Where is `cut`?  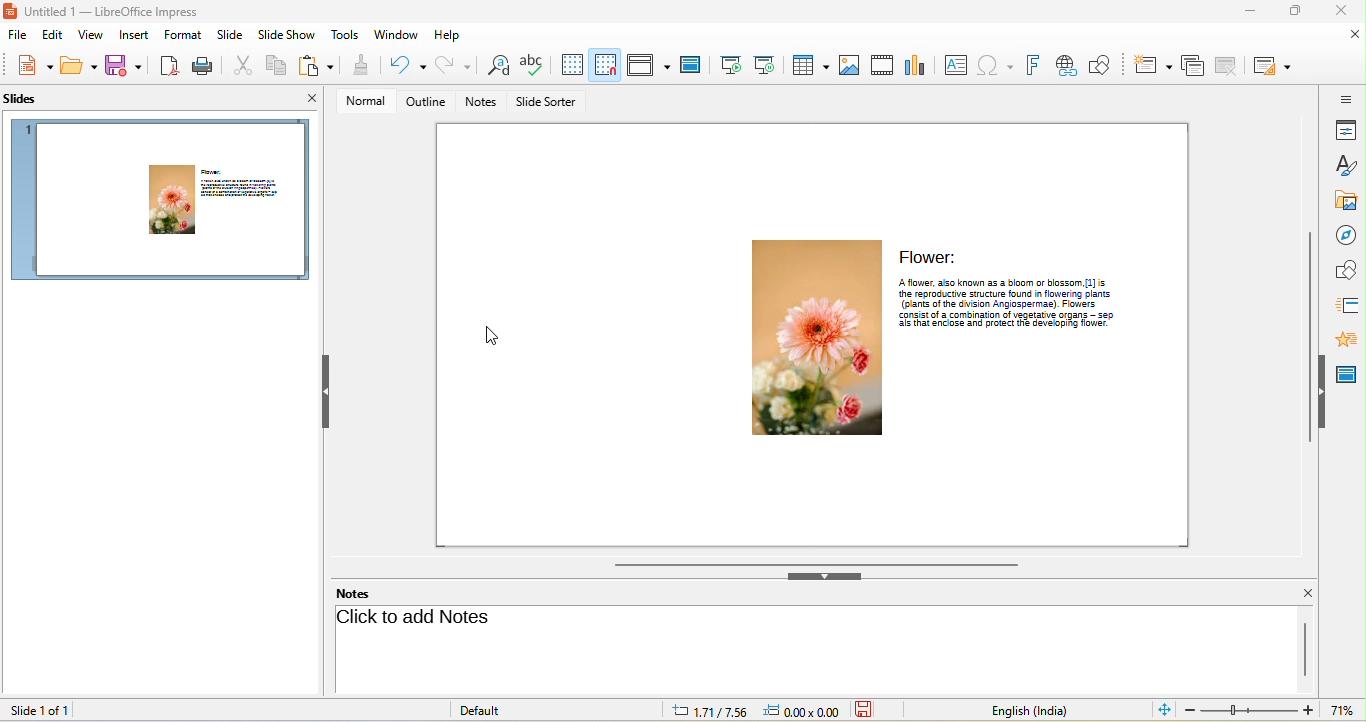
cut is located at coordinates (236, 65).